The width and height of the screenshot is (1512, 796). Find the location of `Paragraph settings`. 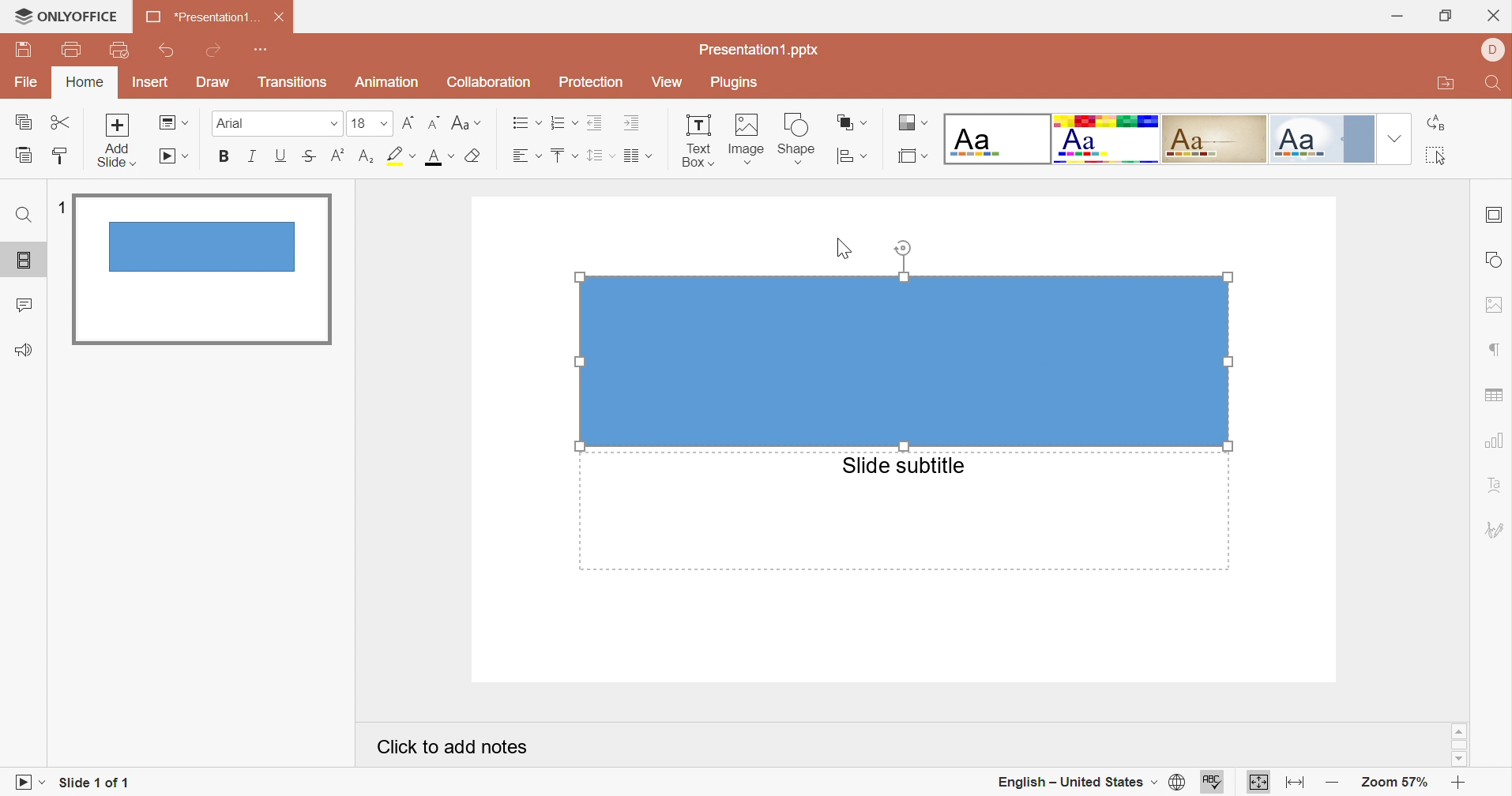

Paragraph settings is located at coordinates (1499, 351).